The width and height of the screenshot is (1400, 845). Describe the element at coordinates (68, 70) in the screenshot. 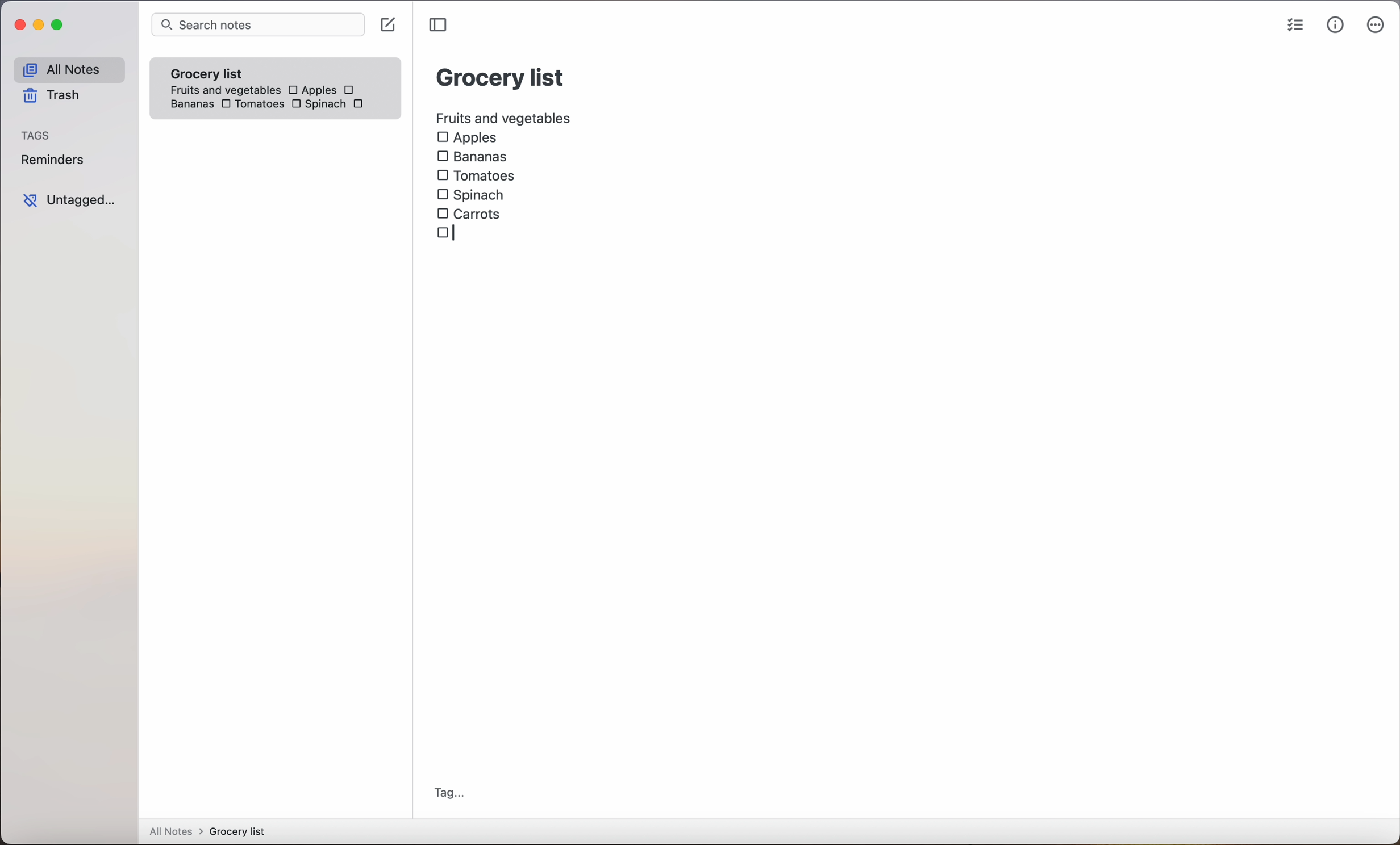

I see `all notes` at that location.